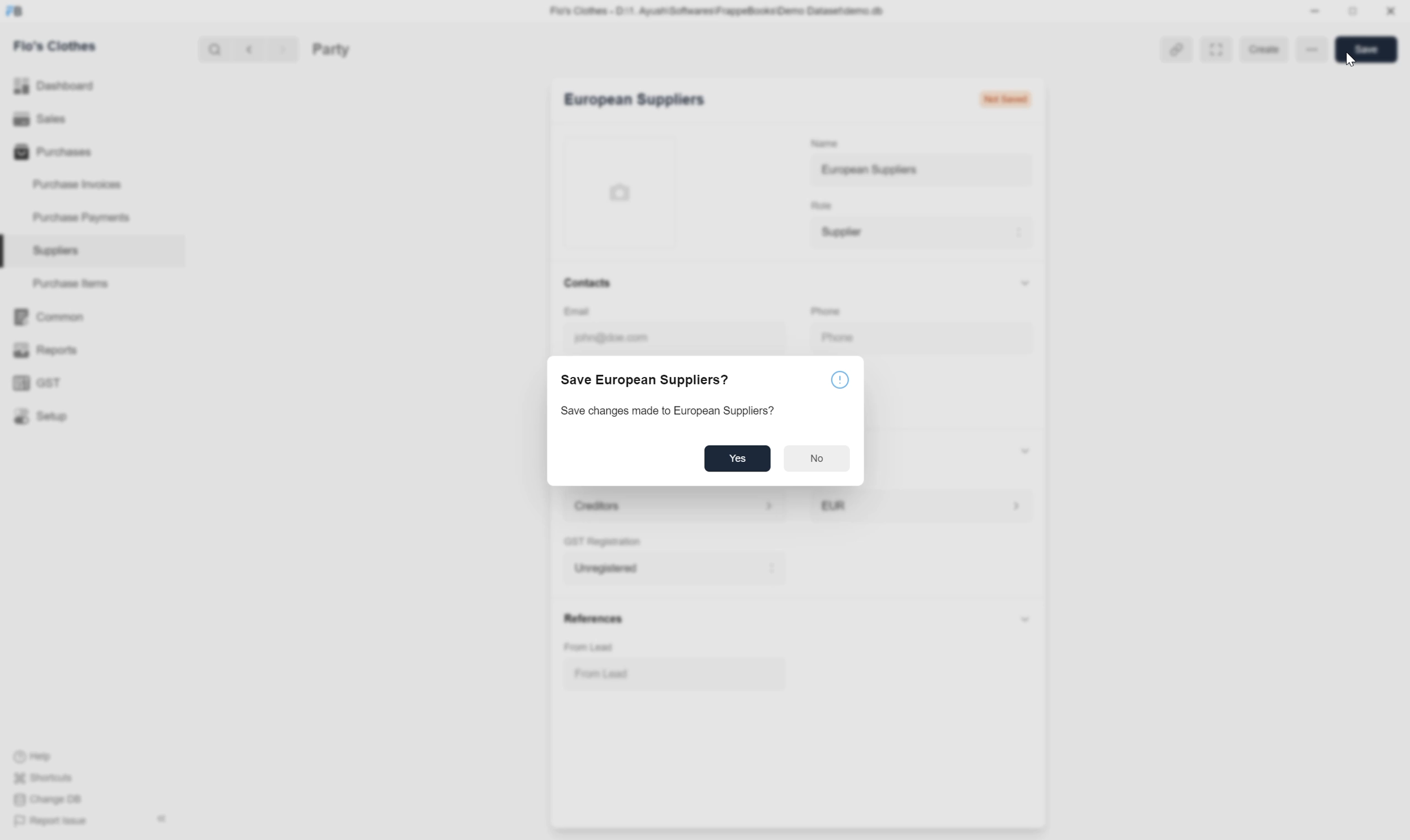 The image size is (1410, 840). I want to click on report issue, so click(51, 821).